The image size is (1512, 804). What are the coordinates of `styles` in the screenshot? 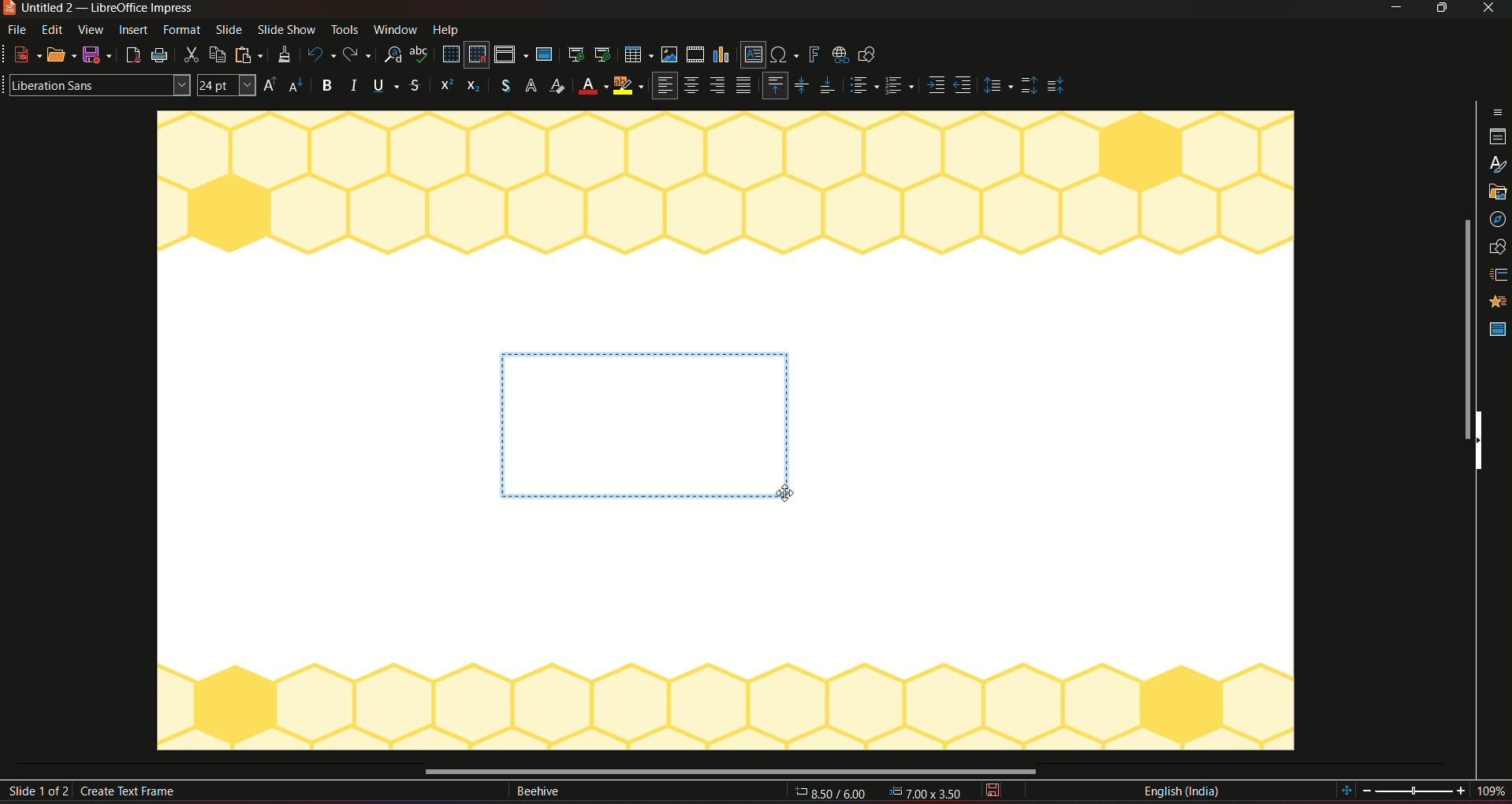 It's located at (1496, 134).